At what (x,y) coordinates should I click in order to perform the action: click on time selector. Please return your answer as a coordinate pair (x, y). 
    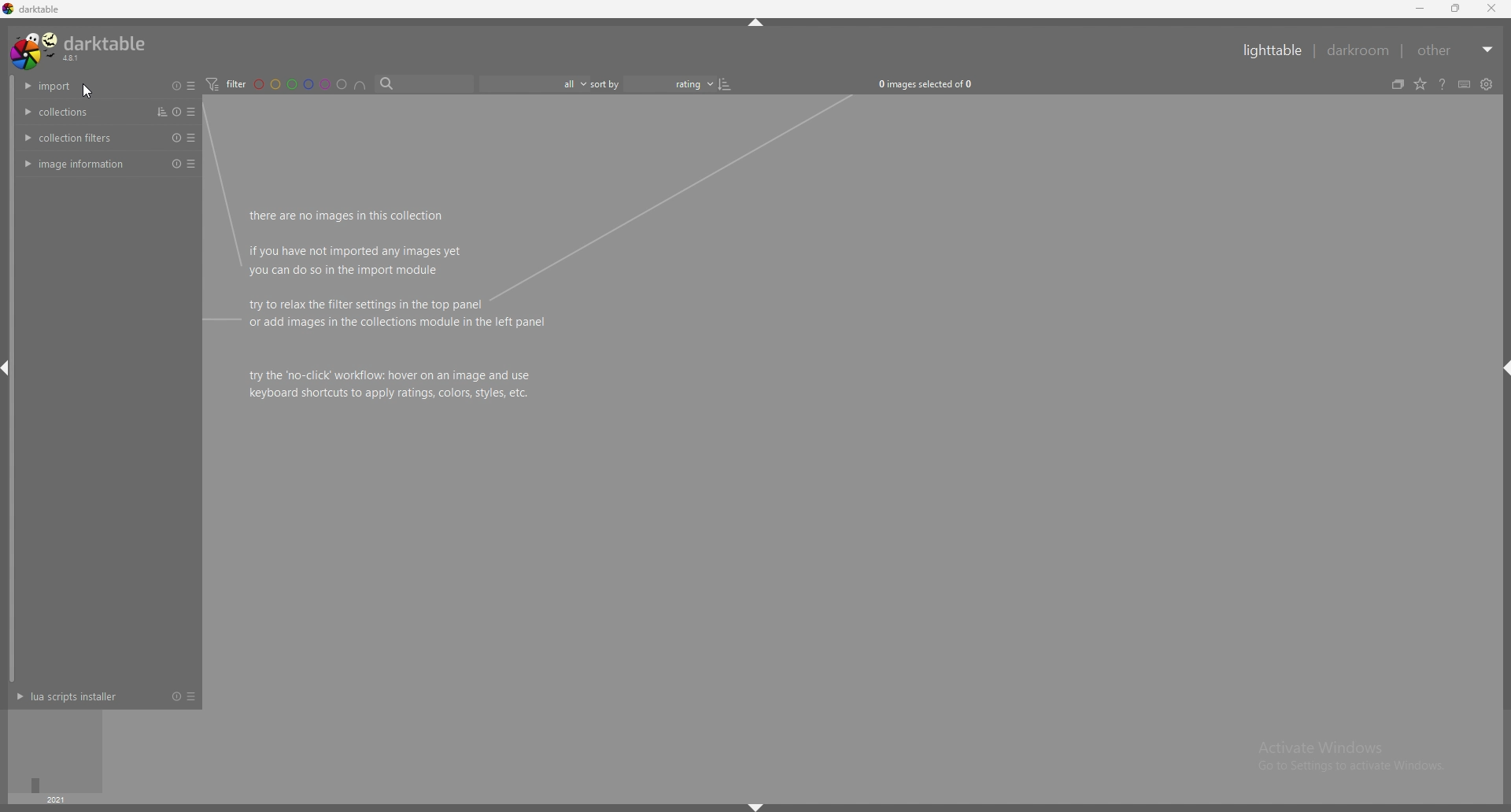
    Looking at the image, I should click on (57, 751).